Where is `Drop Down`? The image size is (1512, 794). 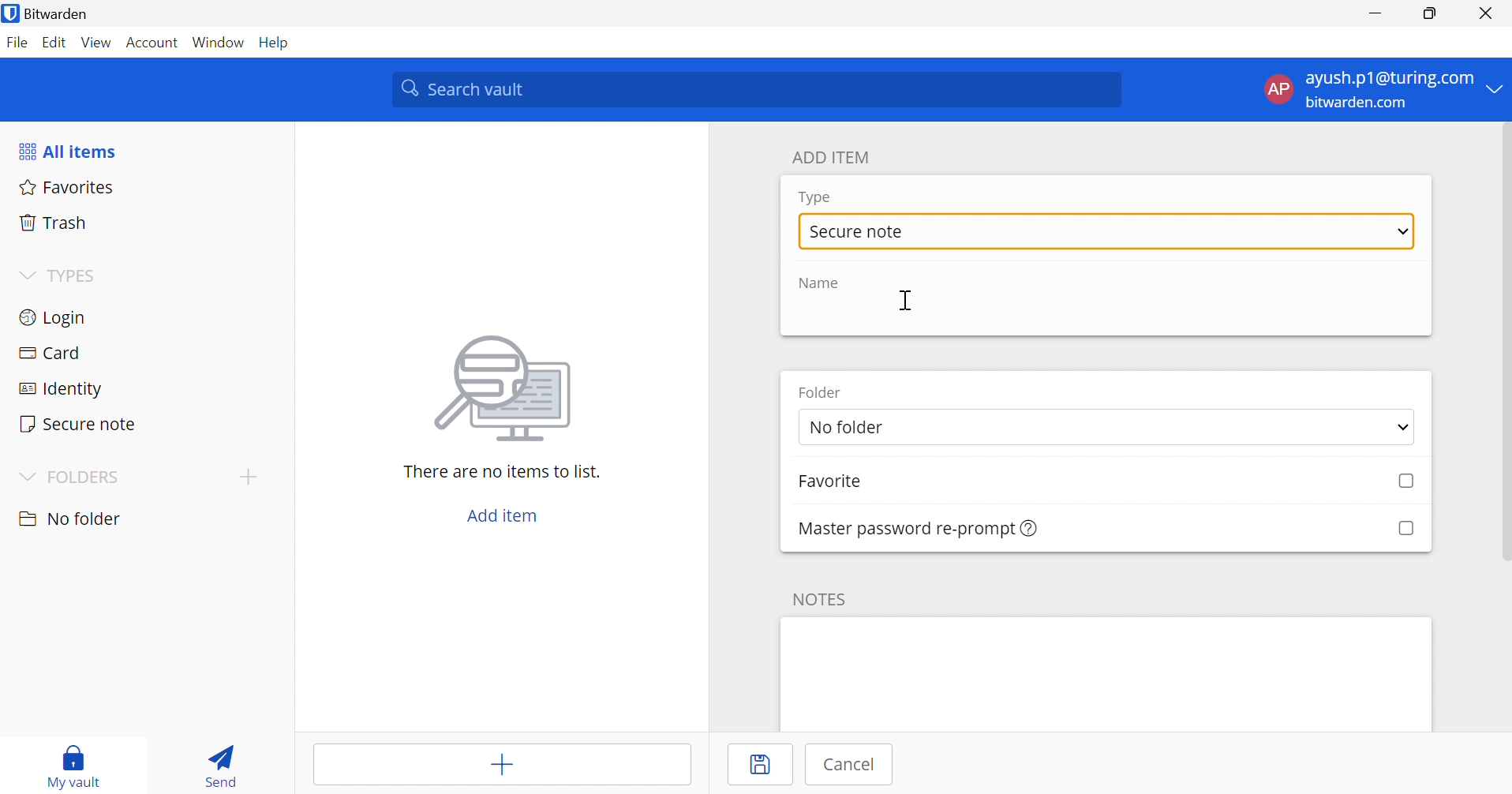 Drop Down is located at coordinates (25, 475).